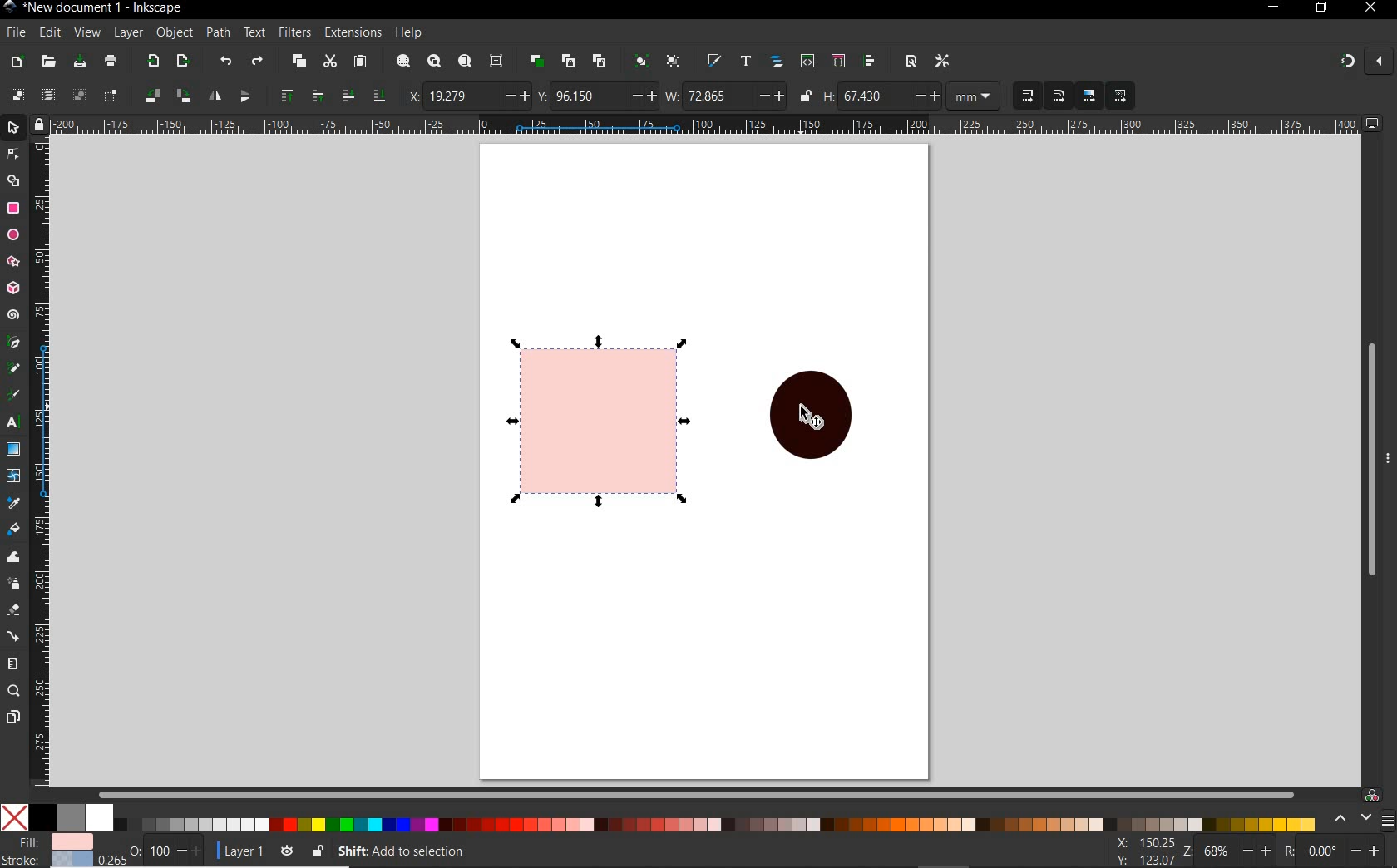 Image resolution: width=1397 pixels, height=868 pixels. Describe the element at coordinates (111, 61) in the screenshot. I see `print` at that location.